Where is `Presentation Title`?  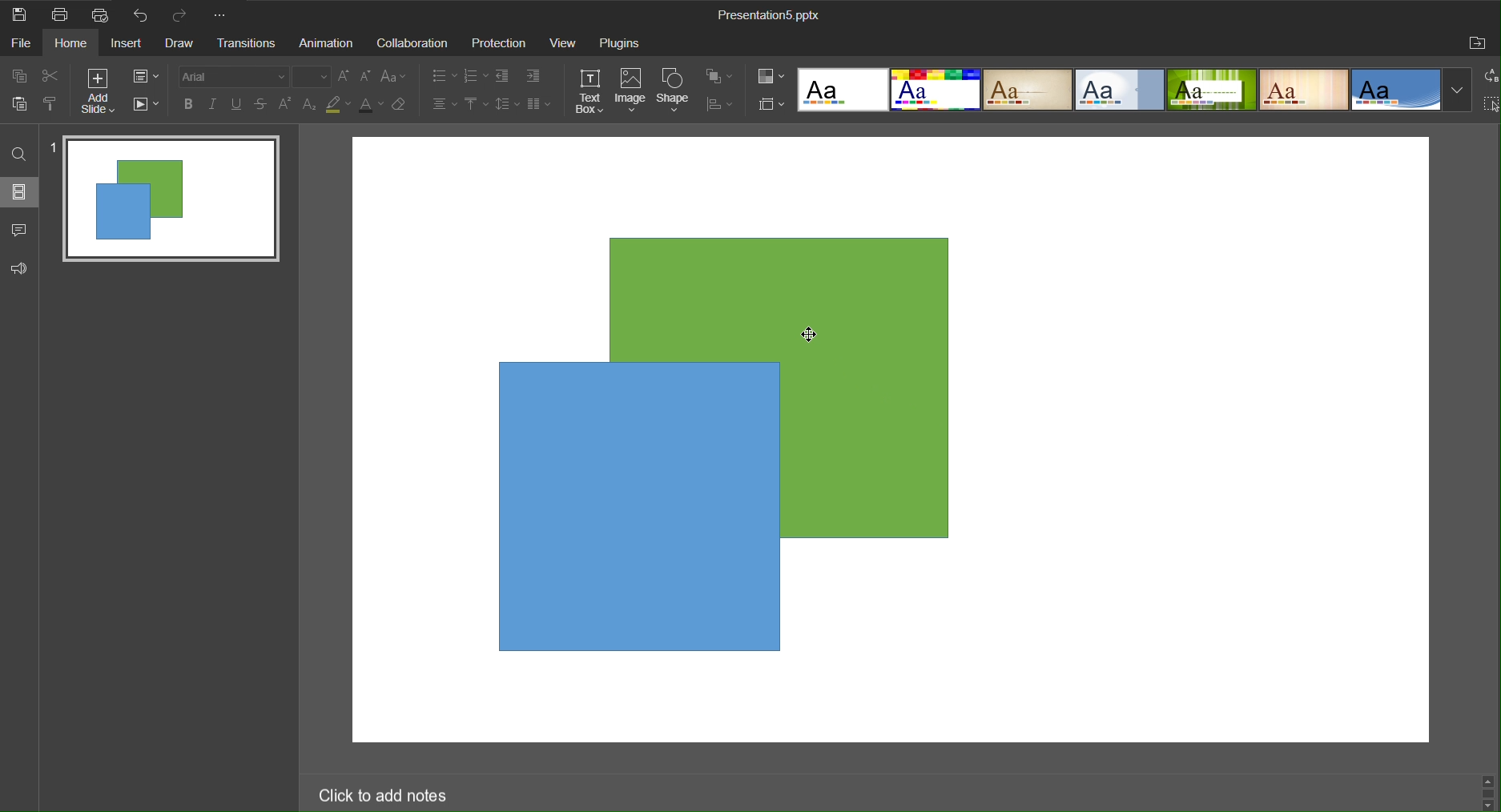 Presentation Title is located at coordinates (768, 16).